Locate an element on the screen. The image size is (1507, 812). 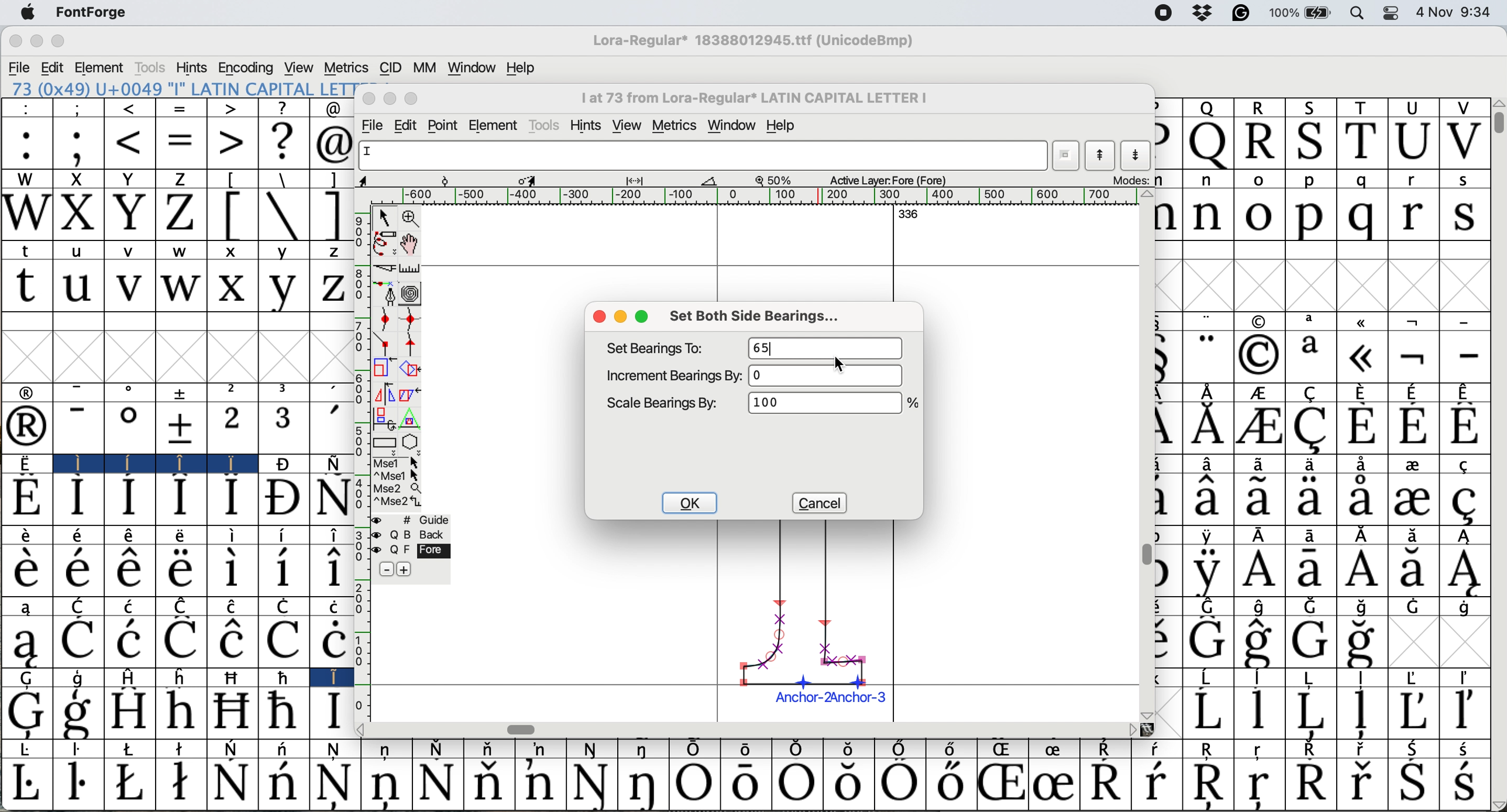
Symbol is located at coordinates (180, 427).